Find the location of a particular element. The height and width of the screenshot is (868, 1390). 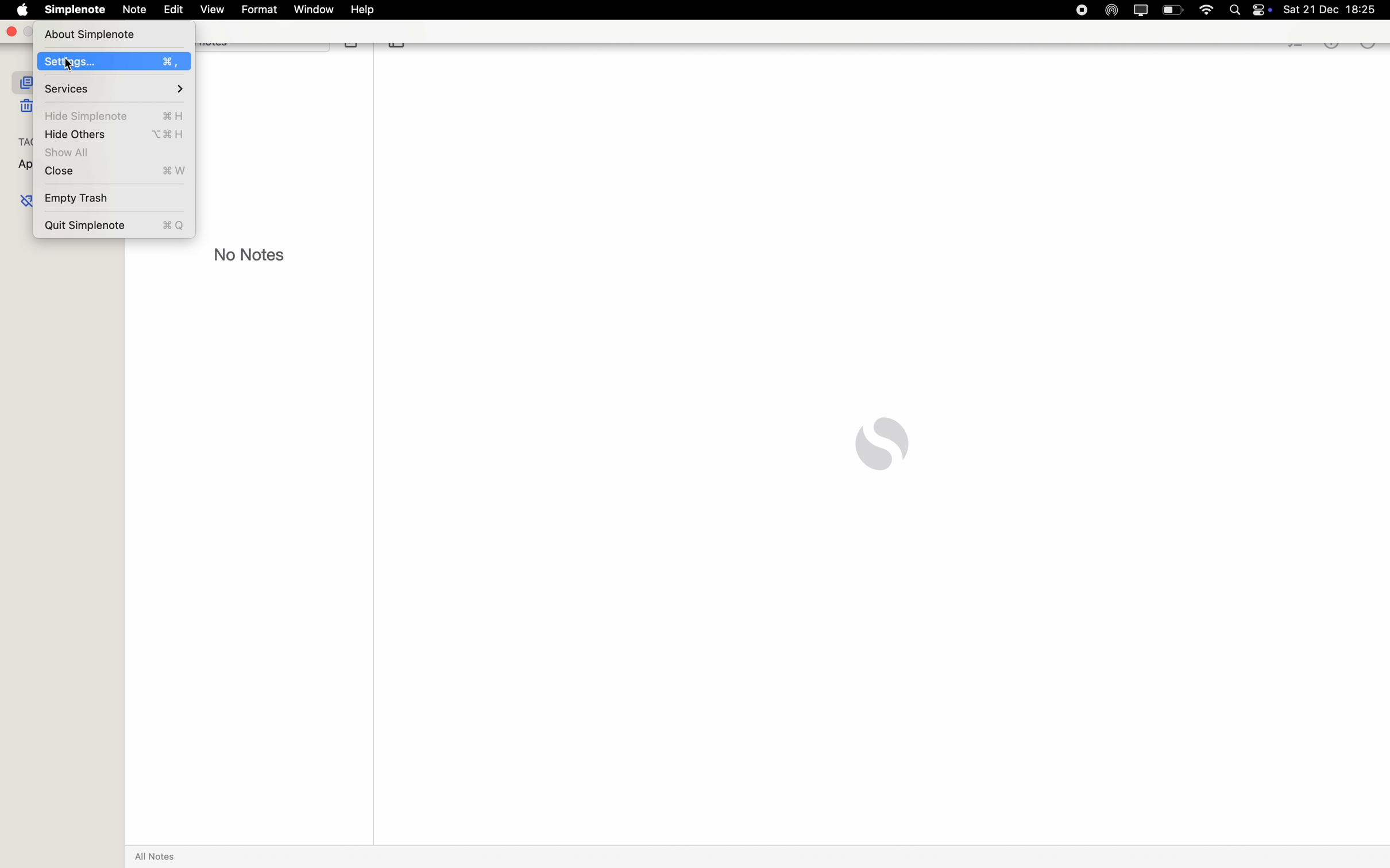

controls is located at coordinates (1260, 10).